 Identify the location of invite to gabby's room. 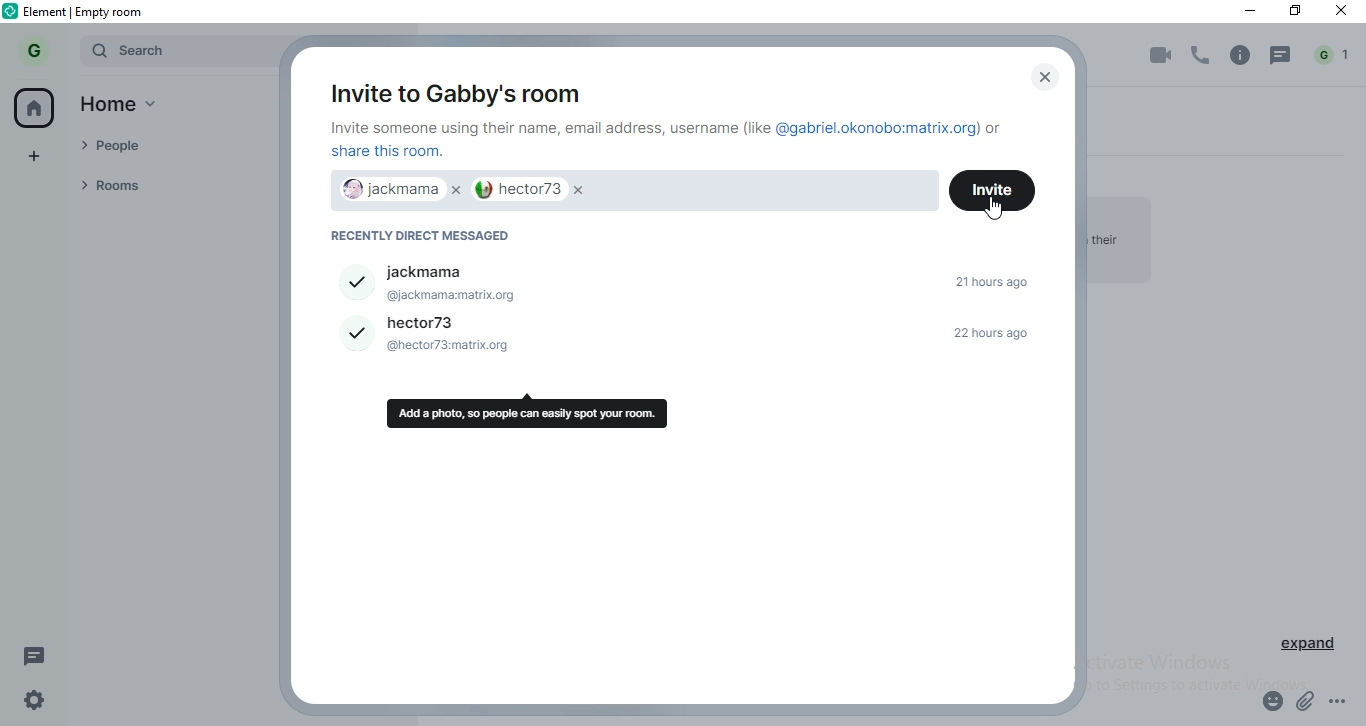
(451, 90).